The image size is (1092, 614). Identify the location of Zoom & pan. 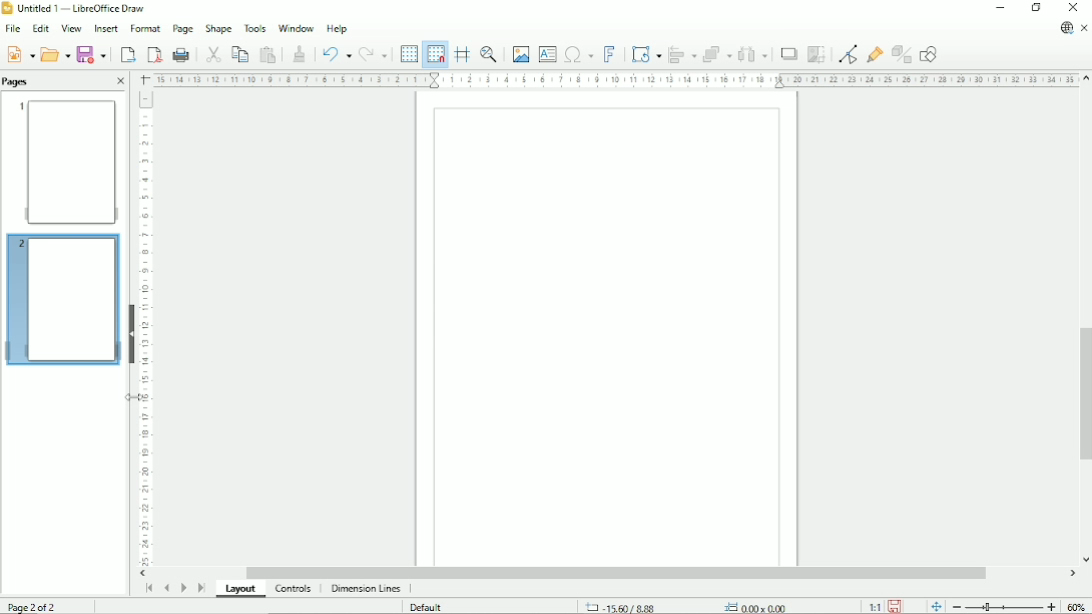
(490, 54).